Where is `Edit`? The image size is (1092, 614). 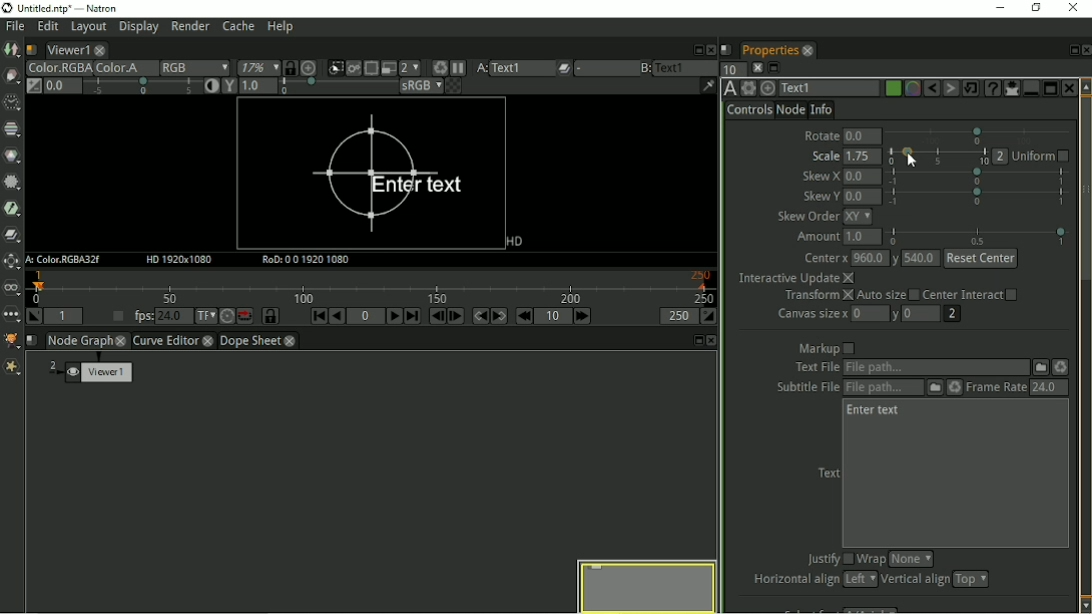 Edit is located at coordinates (48, 27).